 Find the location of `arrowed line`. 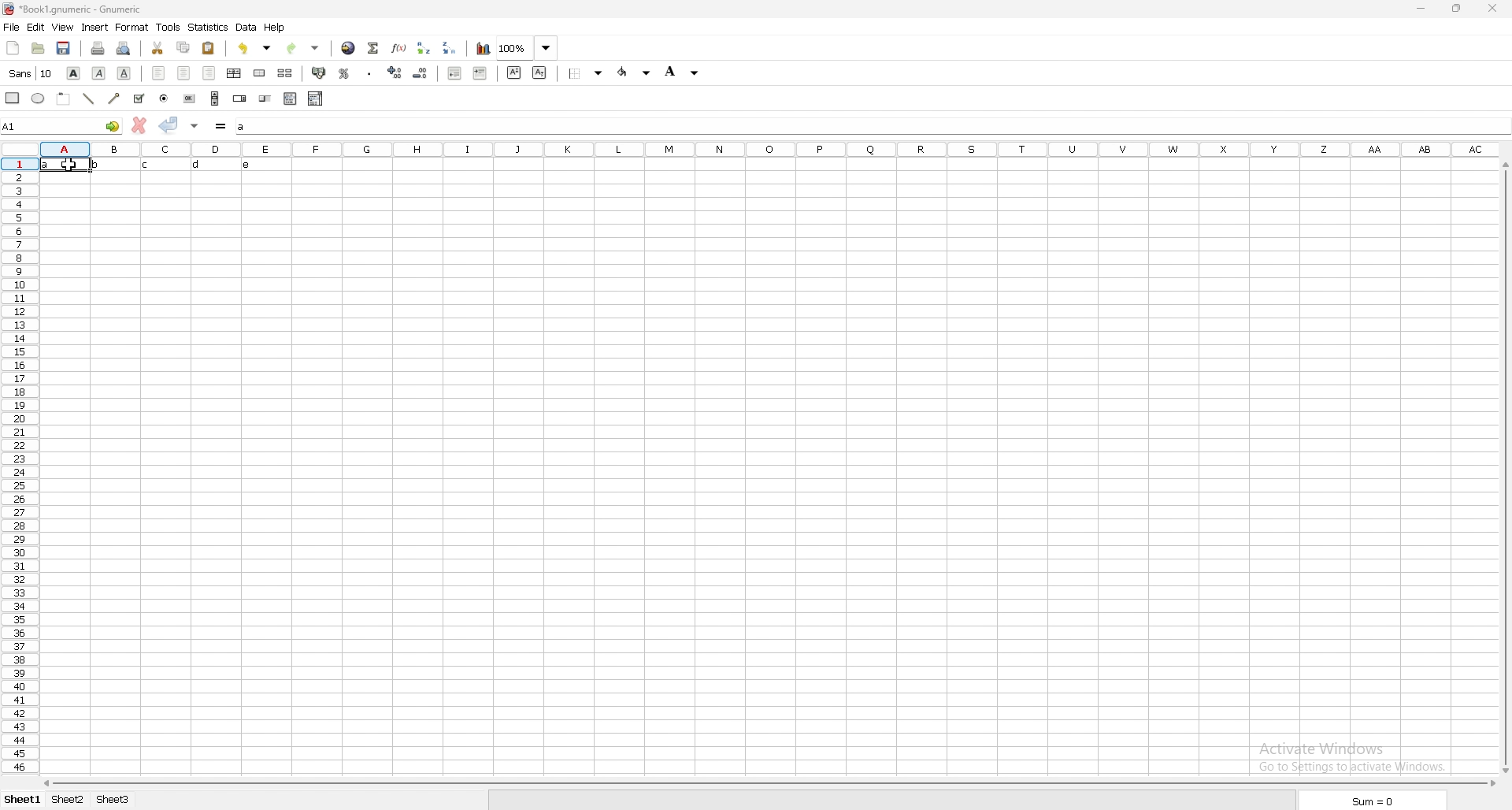

arrowed line is located at coordinates (117, 98).